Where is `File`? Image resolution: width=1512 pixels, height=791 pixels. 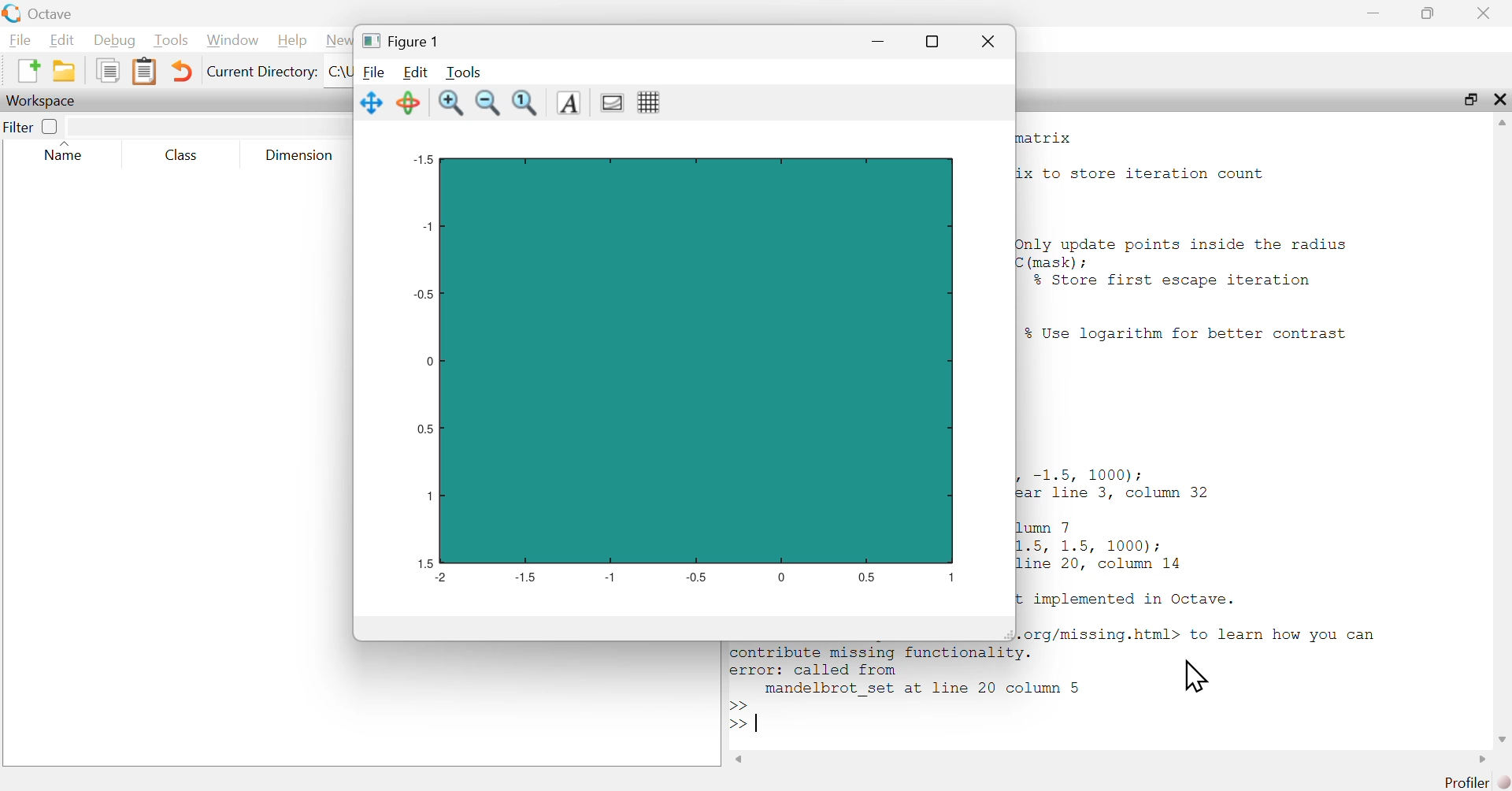
File is located at coordinates (373, 72).